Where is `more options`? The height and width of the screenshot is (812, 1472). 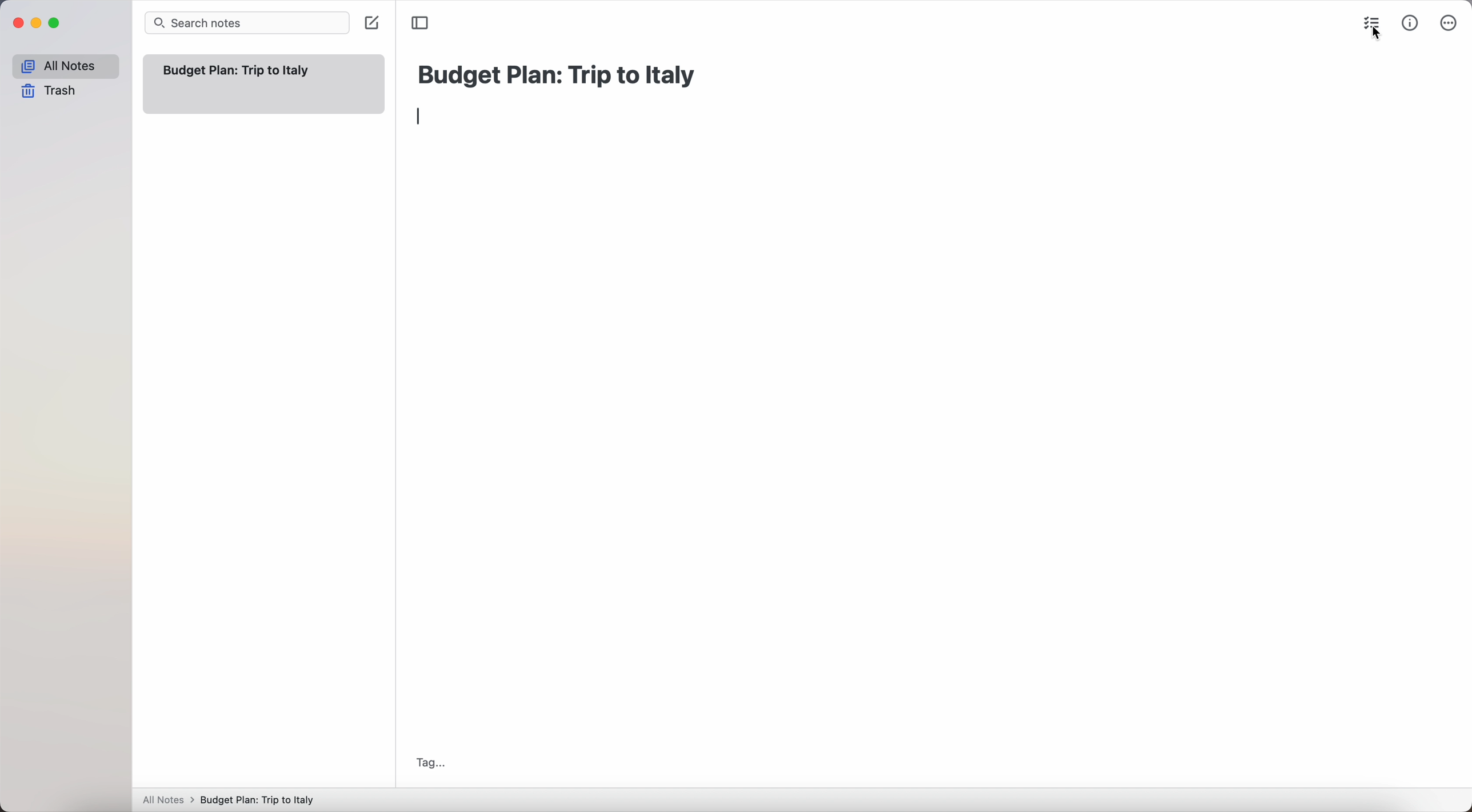 more options is located at coordinates (1449, 23).